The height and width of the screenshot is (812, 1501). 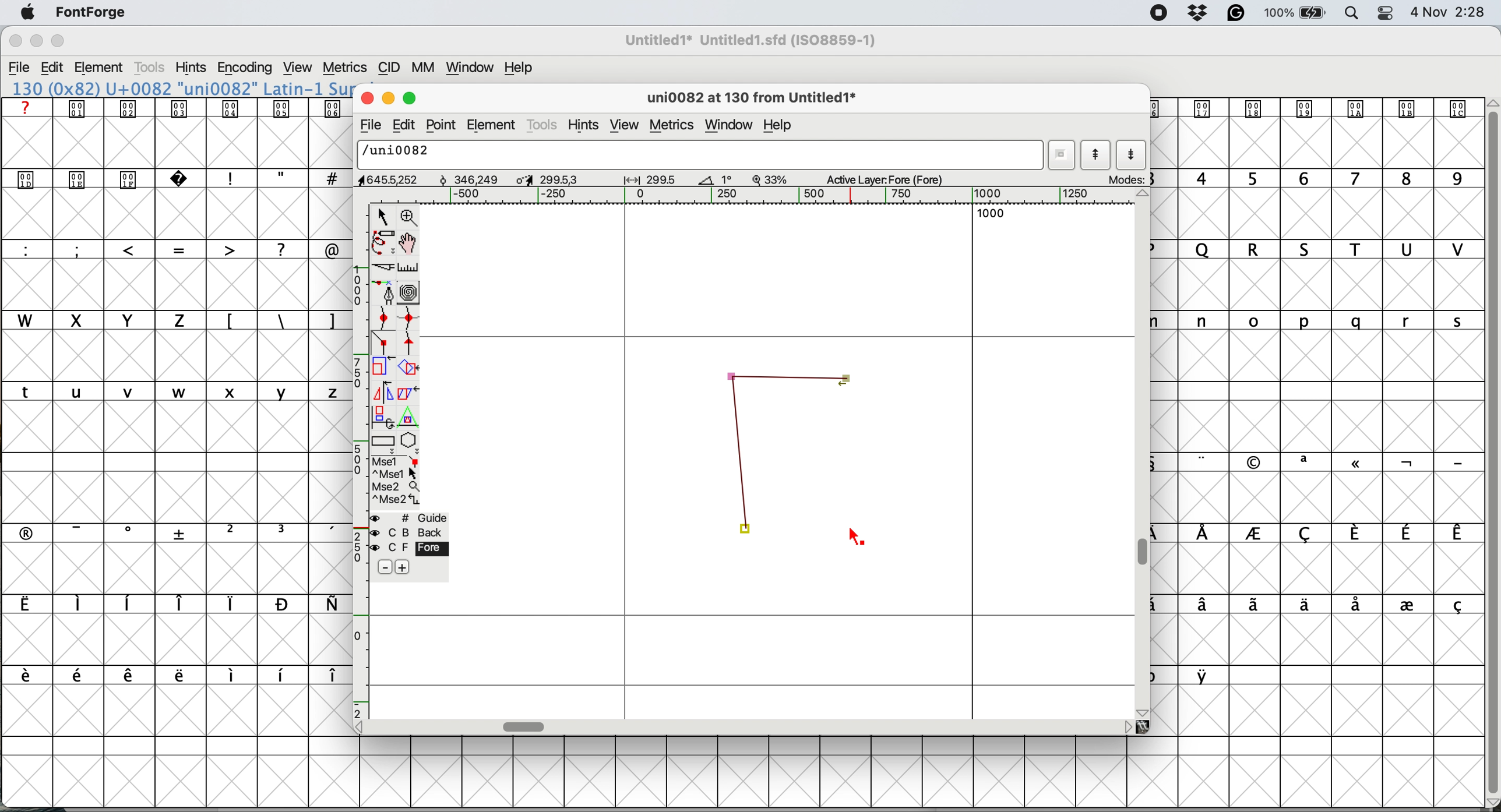 What do you see at coordinates (397, 482) in the screenshot?
I see `selections` at bounding box center [397, 482].